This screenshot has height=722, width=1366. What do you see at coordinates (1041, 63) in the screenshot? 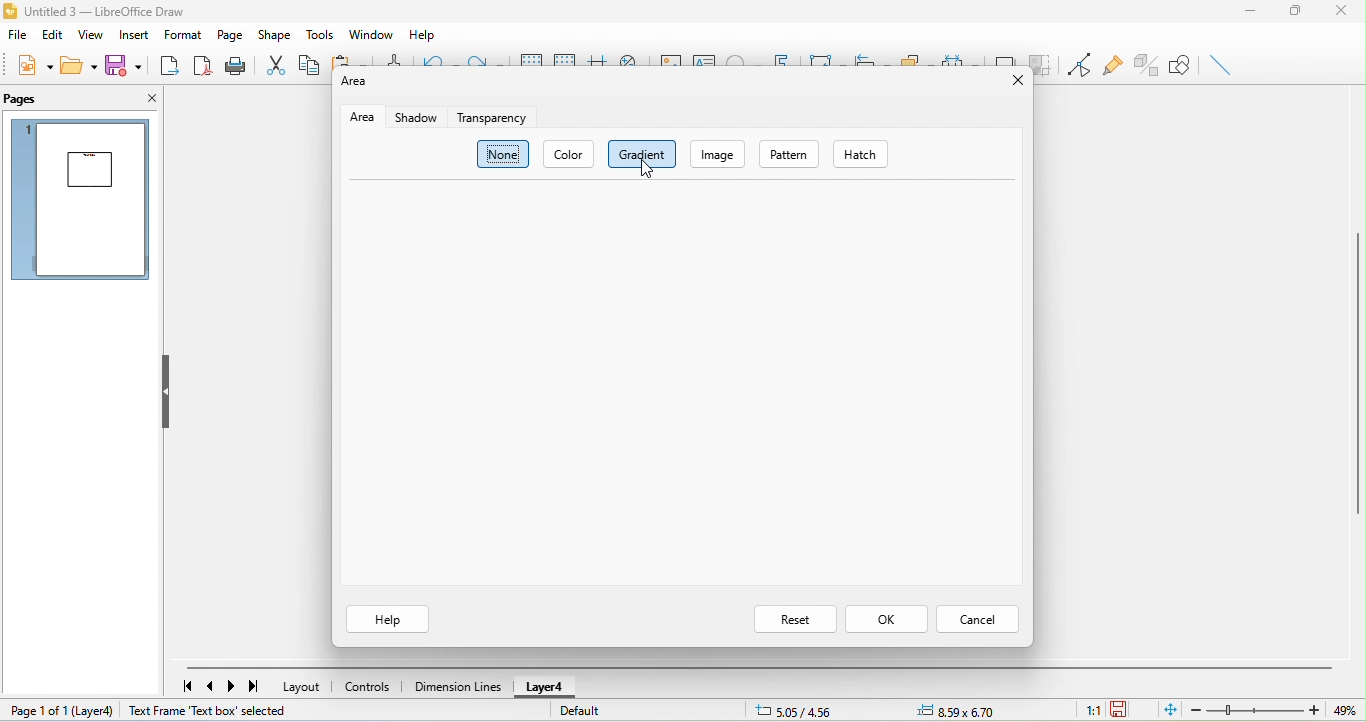
I see `crop image` at bounding box center [1041, 63].